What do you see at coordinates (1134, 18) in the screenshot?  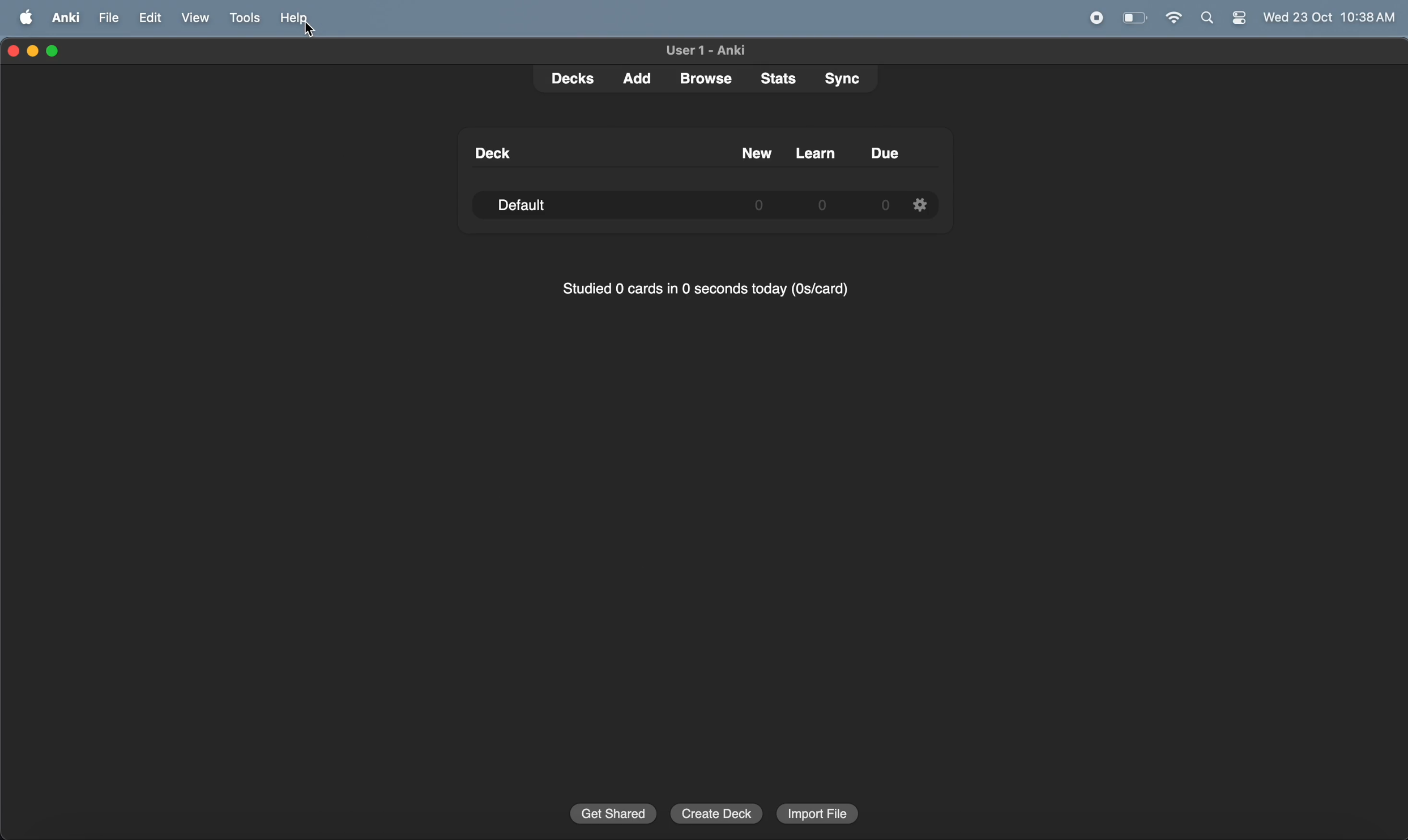 I see `battery` at bounding box center [1134, 18].